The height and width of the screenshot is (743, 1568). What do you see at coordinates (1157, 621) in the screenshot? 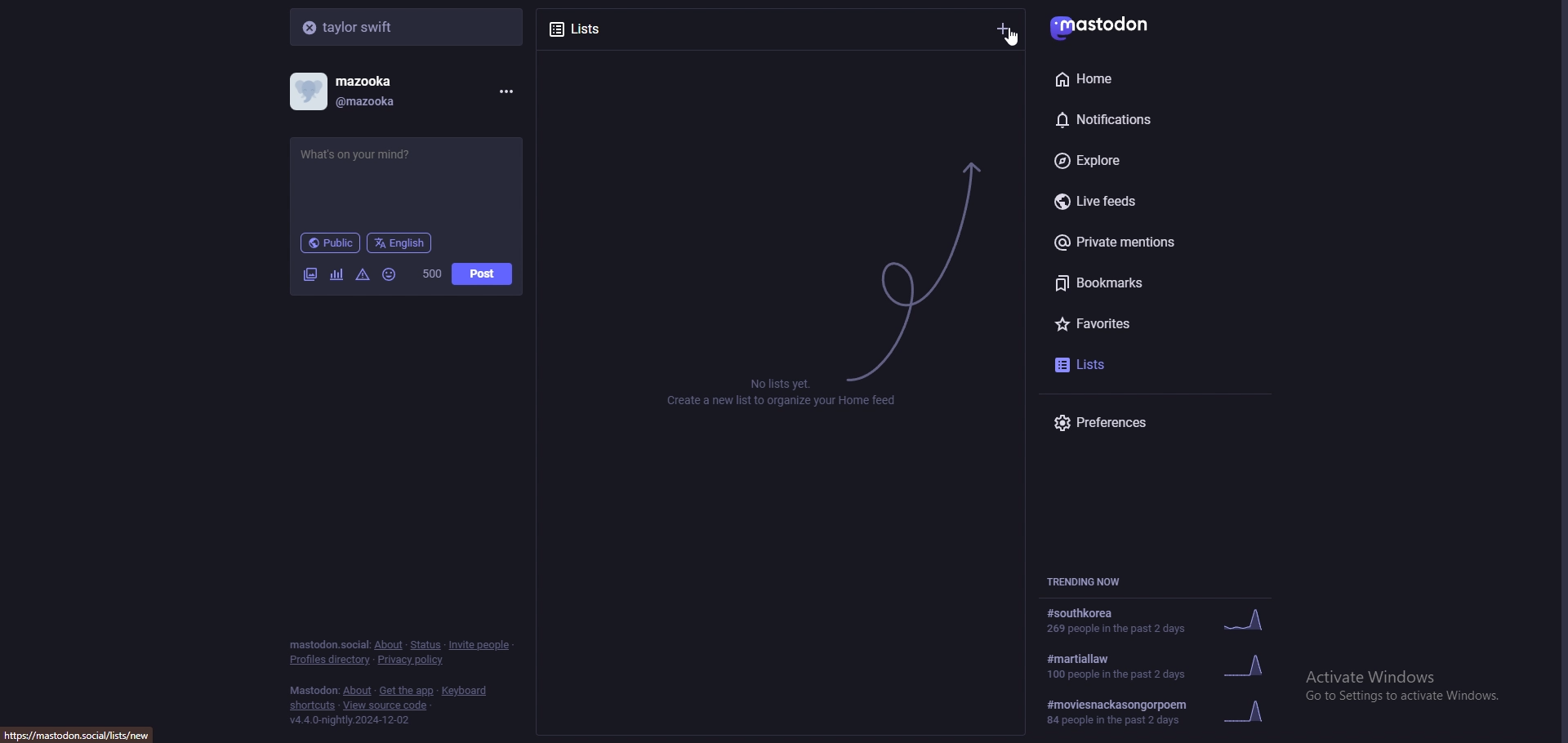
I see `trending` at bounding box center [1157, 621].